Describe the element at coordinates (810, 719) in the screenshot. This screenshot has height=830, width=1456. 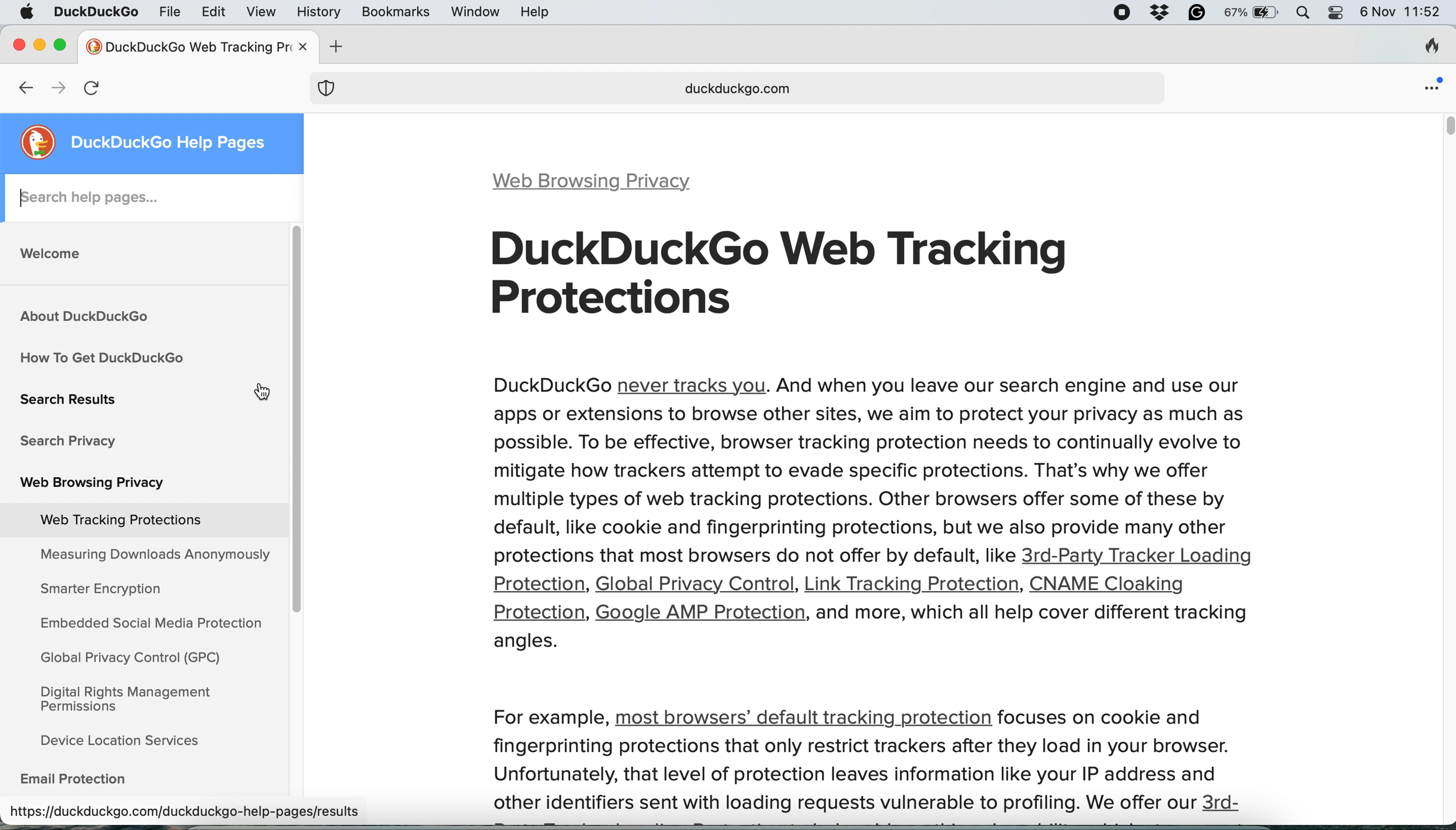
I see `most browsers’ default tracking protection` at that location.